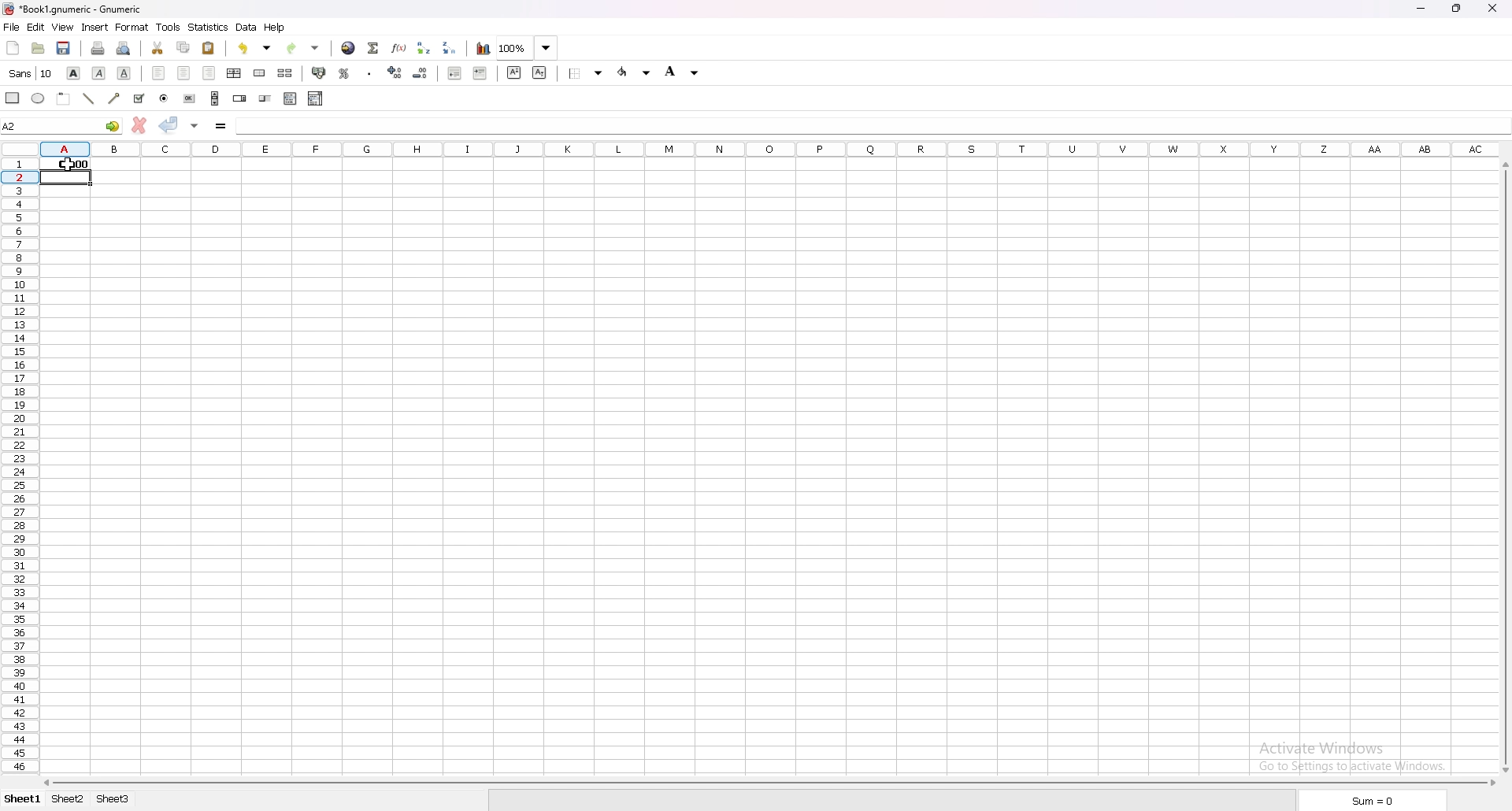 Image resolution: width=1512 pixels, height=811 pixels. Describe the element at coordinates (261, 72) in the screenshot. I see `merge cell` at that location.